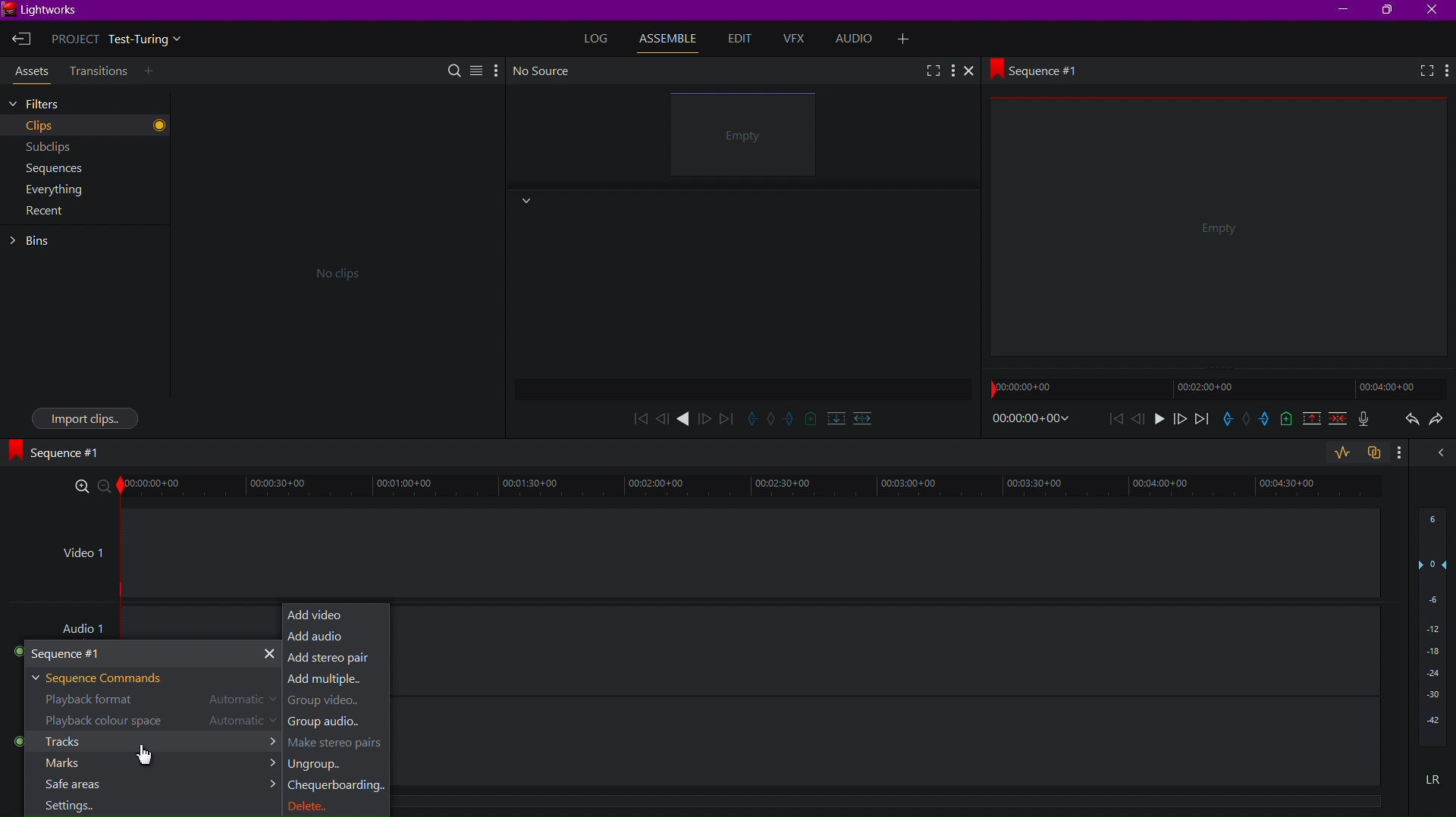 This screenshot has height=817, width=1456. What do you see at coordinates (121, 41) in the screenshot?
I see `Project` at bounding box center [121, 41].